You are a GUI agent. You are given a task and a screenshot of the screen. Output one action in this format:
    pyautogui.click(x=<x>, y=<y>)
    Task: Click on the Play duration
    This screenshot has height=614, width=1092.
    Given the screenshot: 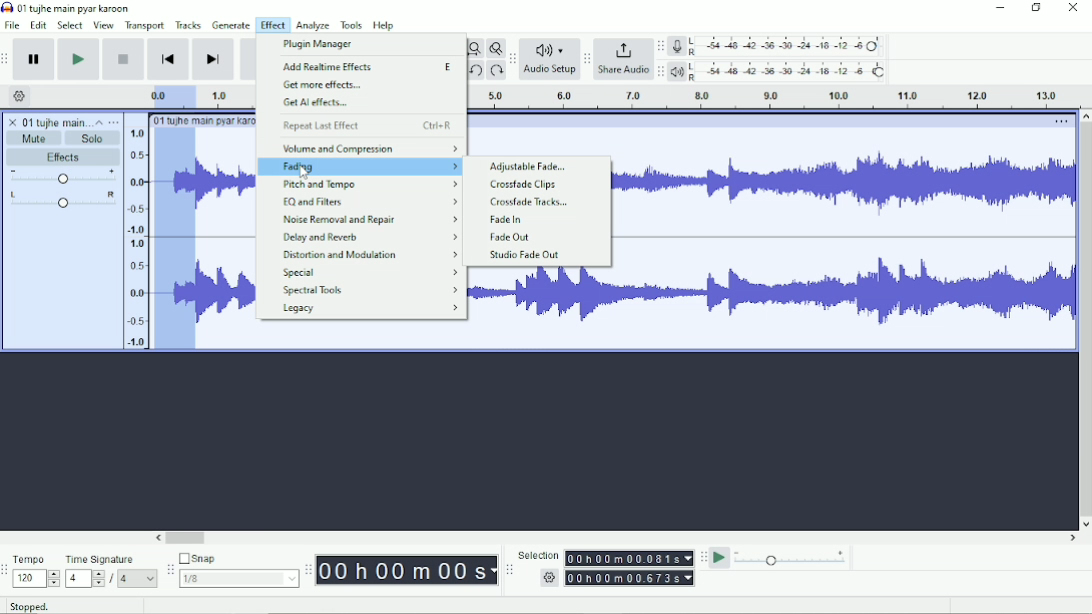 What is the action you would take?
    pyautogui.click(x=227, y=95)
    